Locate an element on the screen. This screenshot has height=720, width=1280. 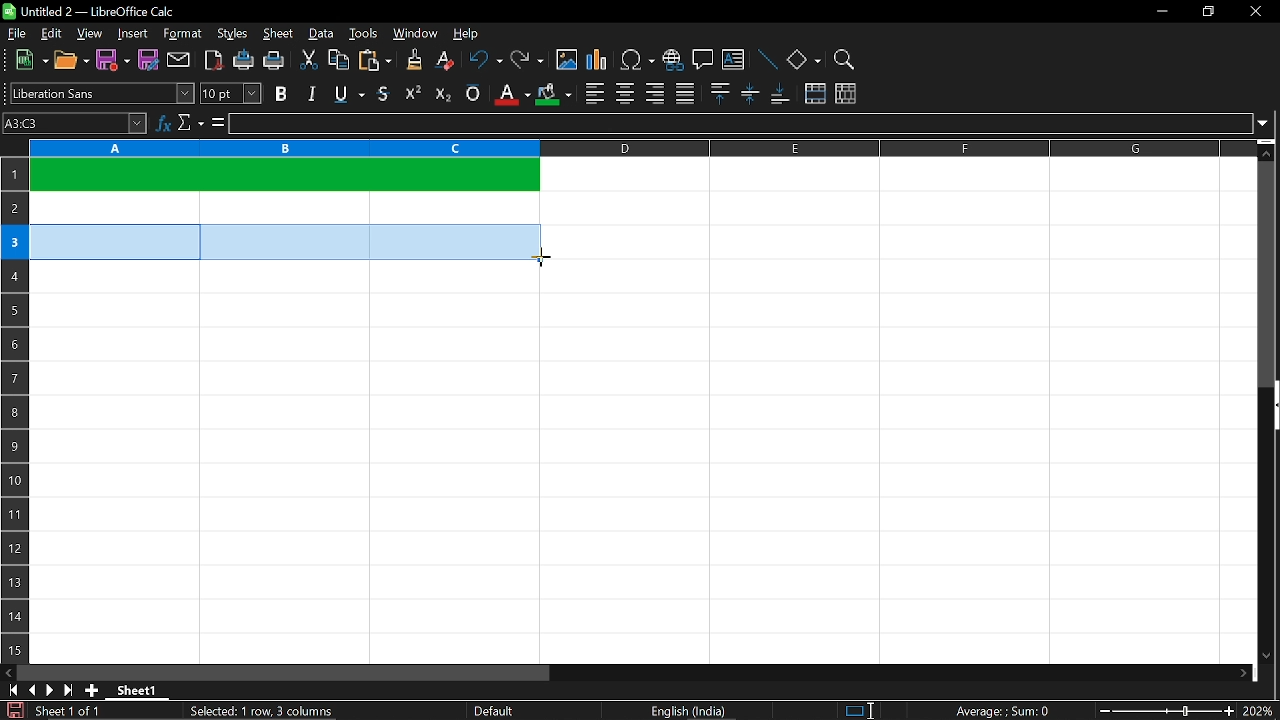
attach is located at coordinates (177, 59).